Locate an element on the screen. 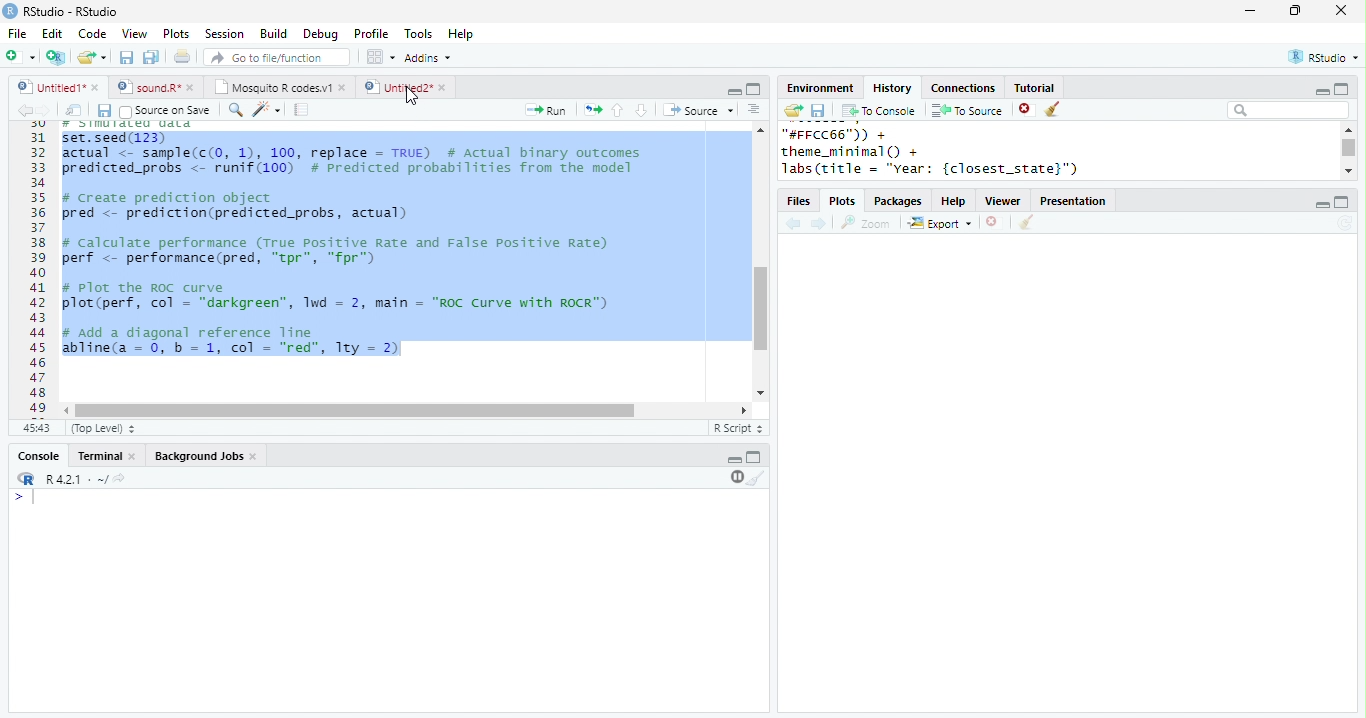  Plots is located at coordinates (177, 33).